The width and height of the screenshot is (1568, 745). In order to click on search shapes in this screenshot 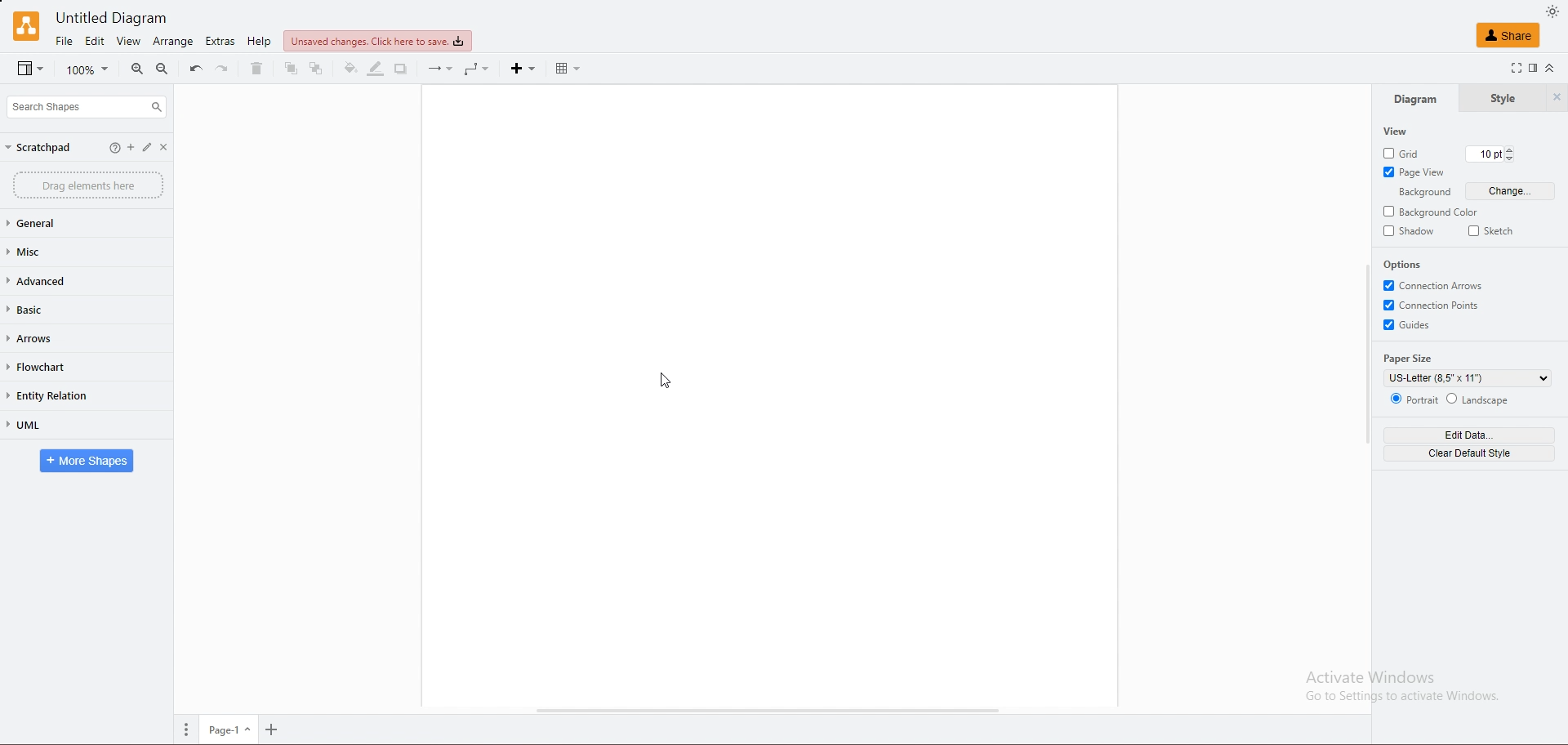, I will do `click(87, 106)`.